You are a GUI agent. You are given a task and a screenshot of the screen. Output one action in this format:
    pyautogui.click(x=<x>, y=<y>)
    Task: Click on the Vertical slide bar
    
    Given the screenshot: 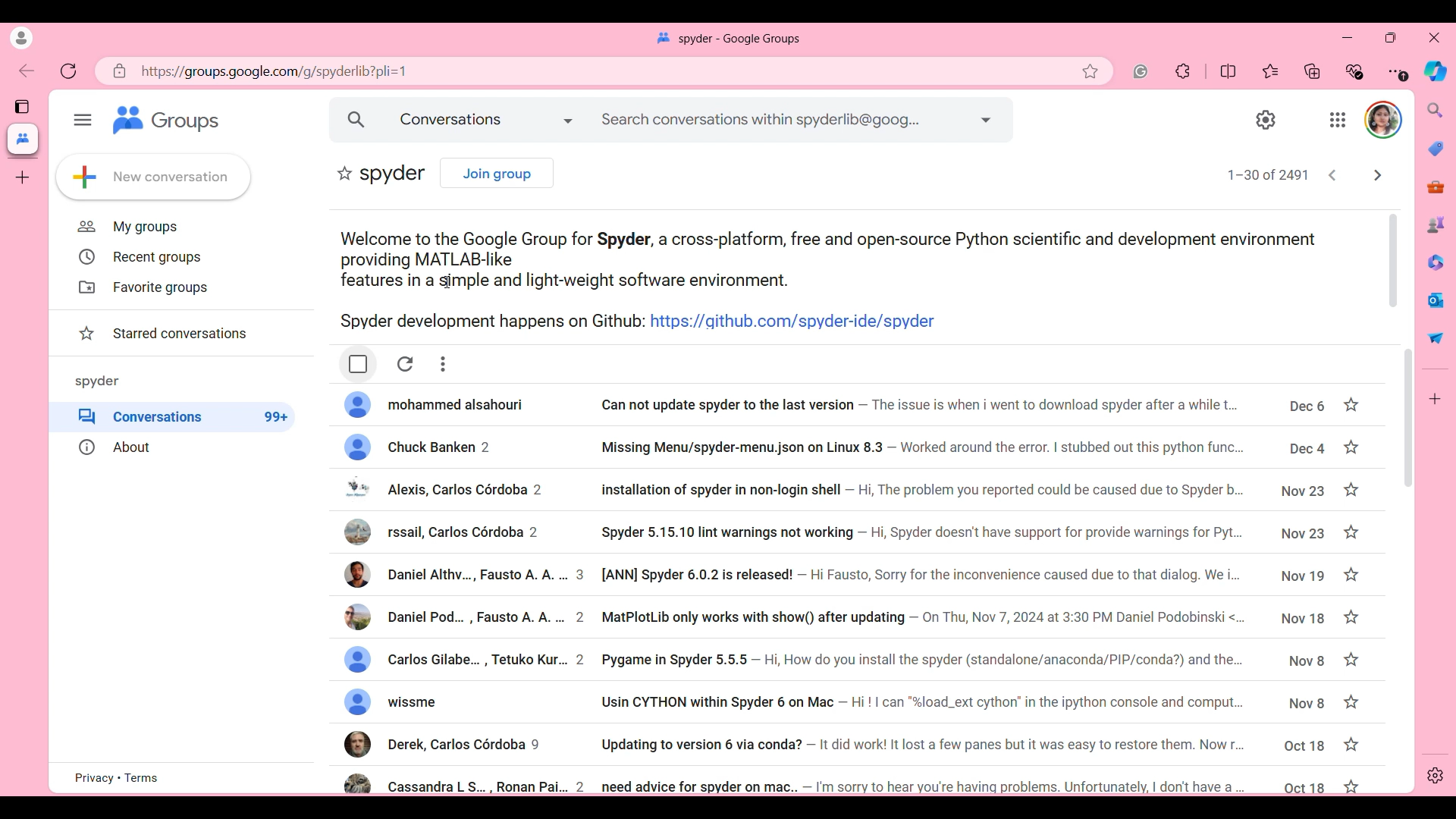 What is the action you would take?
    pyautogui.click(x=1394, y=260)
    